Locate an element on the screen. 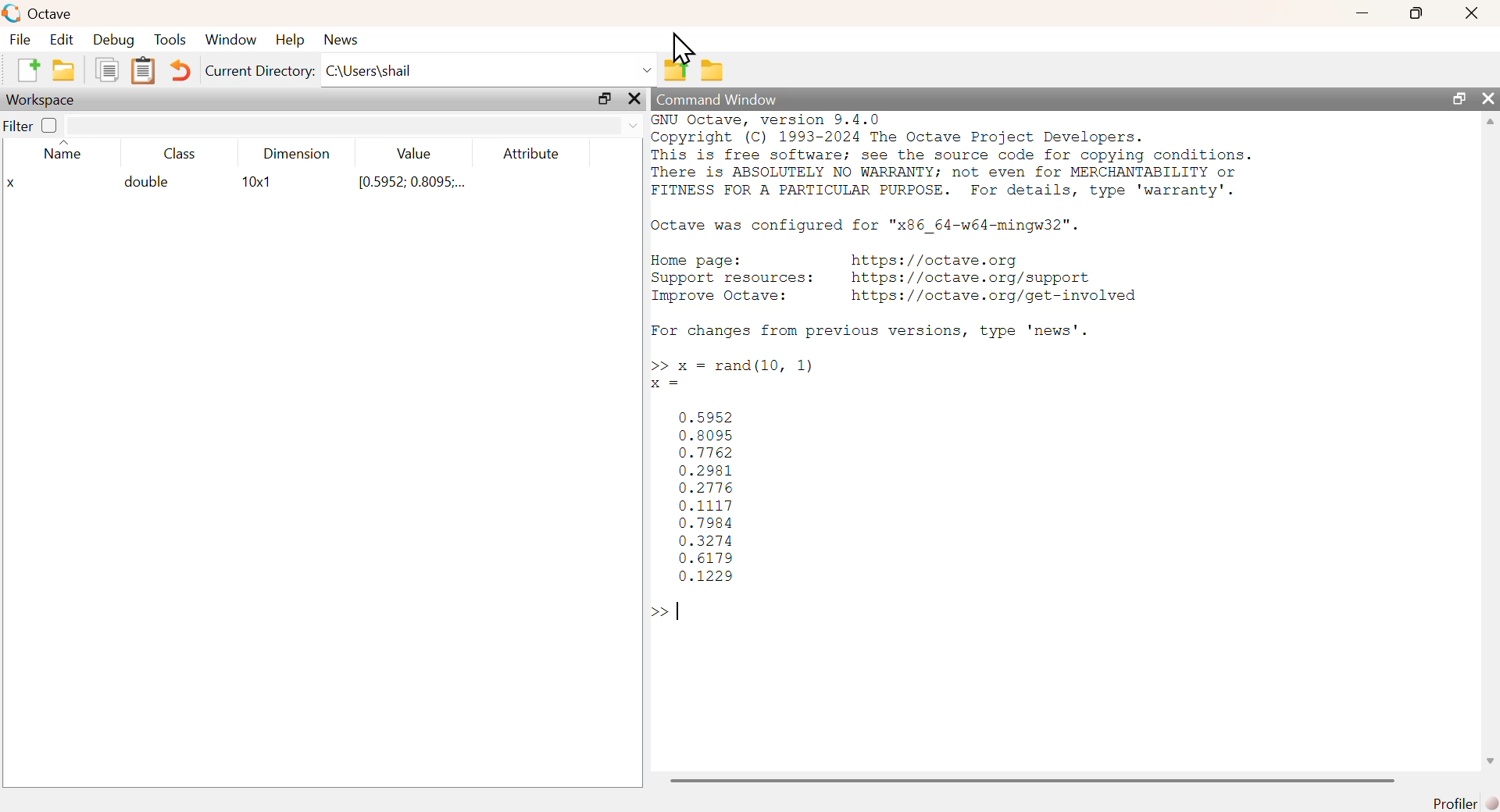 This screenshot has height=812, width=1500. profiler is located at coordinates (1462, 803).